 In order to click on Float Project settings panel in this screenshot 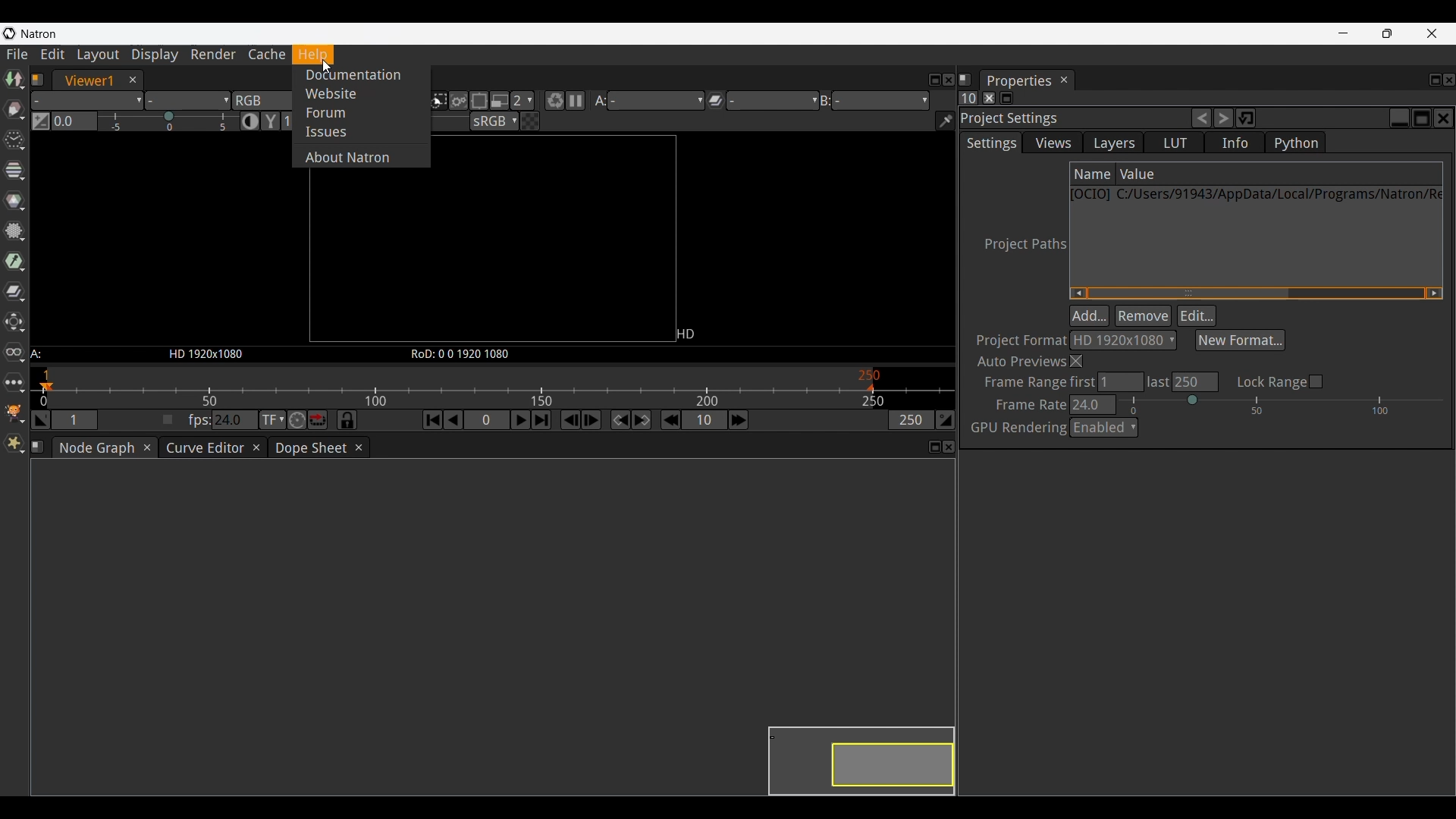, I will do `click(1422, 118)`.